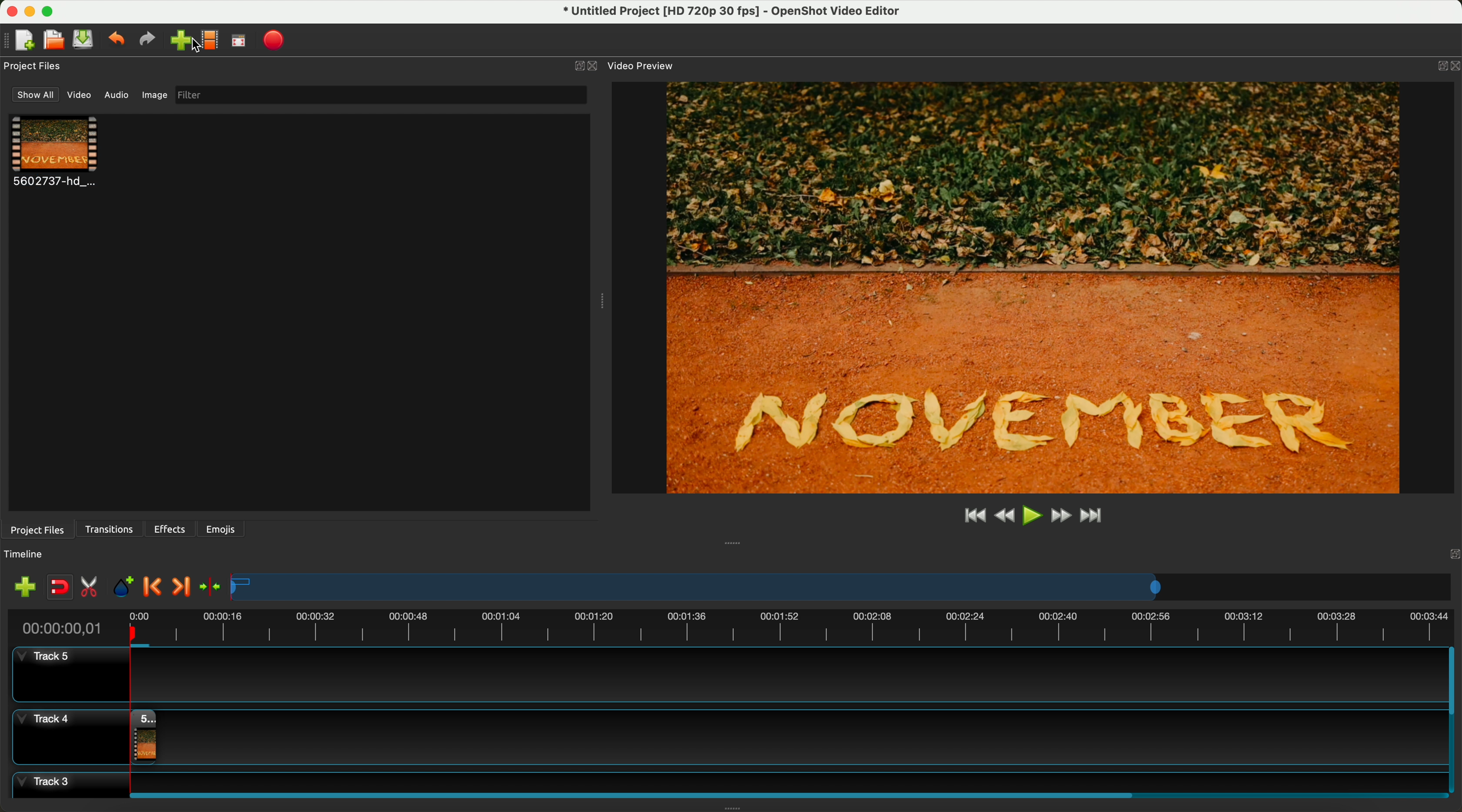 The height and width of the screenshot is (812, 1462). I want to click on file name, so click(725, 13).